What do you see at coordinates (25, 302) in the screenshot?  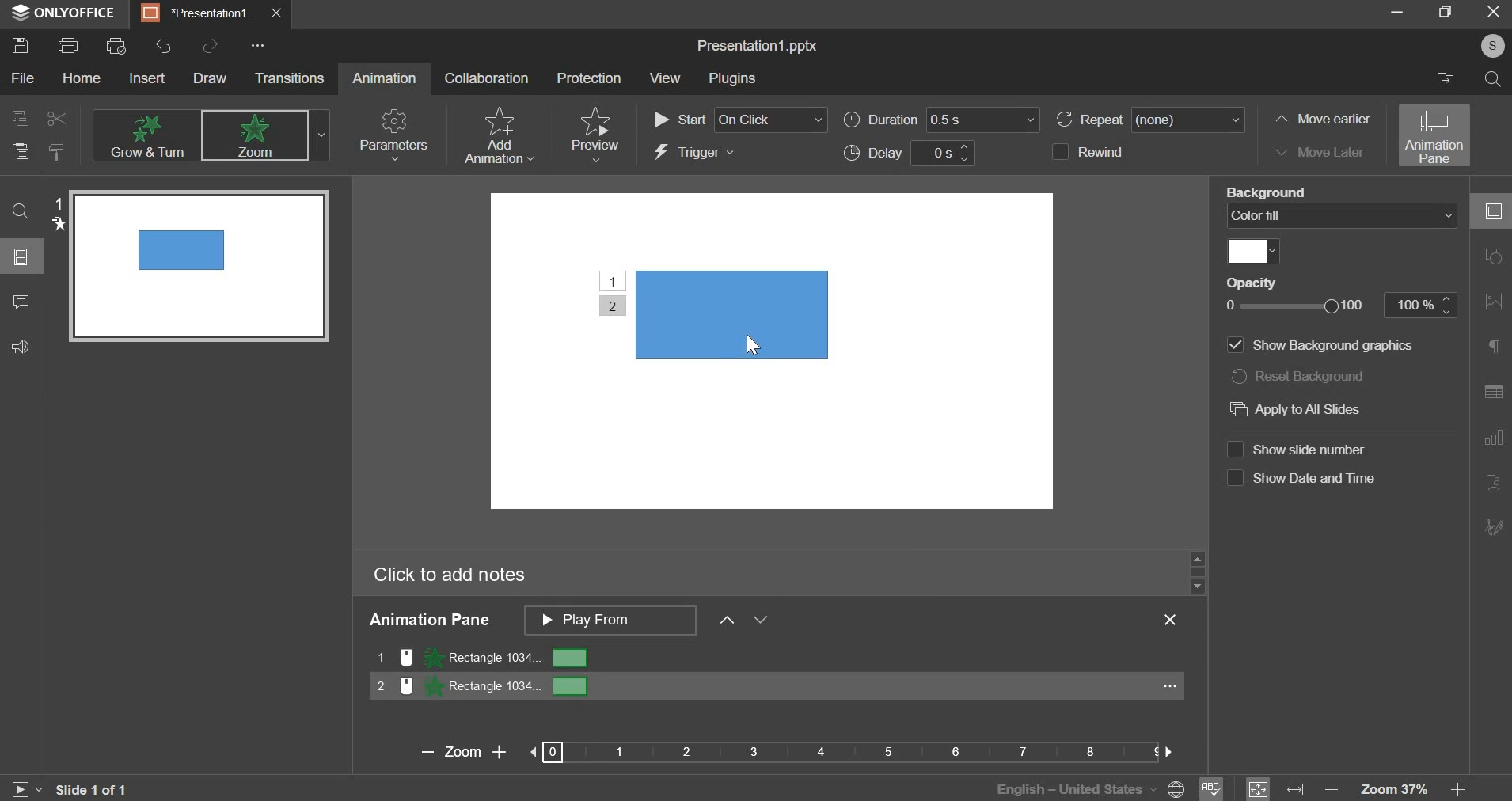 I see `comments` at bounding box center [25, 302].